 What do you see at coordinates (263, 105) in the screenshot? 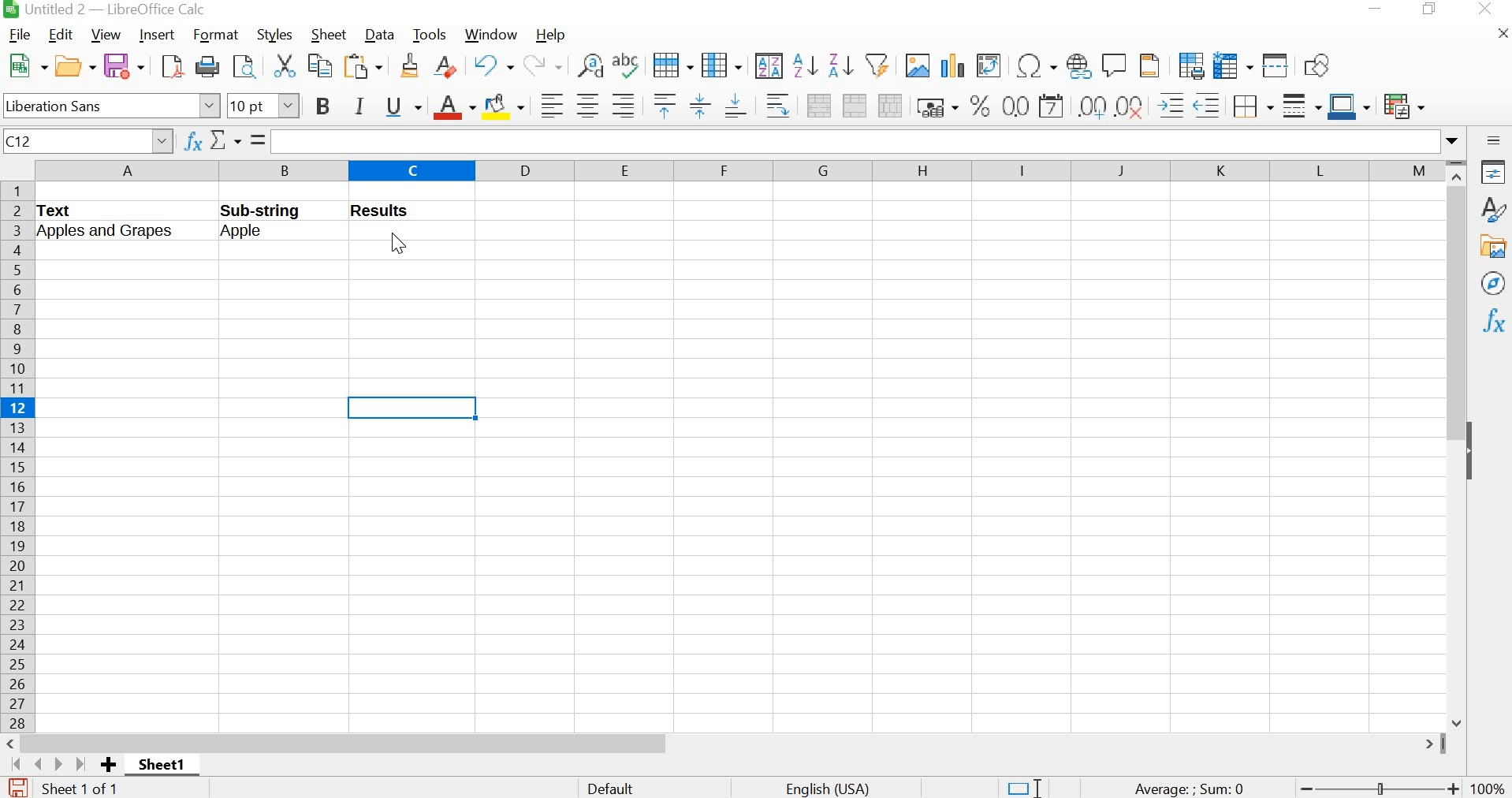
I see `font size` at bounding box center [263, 105].